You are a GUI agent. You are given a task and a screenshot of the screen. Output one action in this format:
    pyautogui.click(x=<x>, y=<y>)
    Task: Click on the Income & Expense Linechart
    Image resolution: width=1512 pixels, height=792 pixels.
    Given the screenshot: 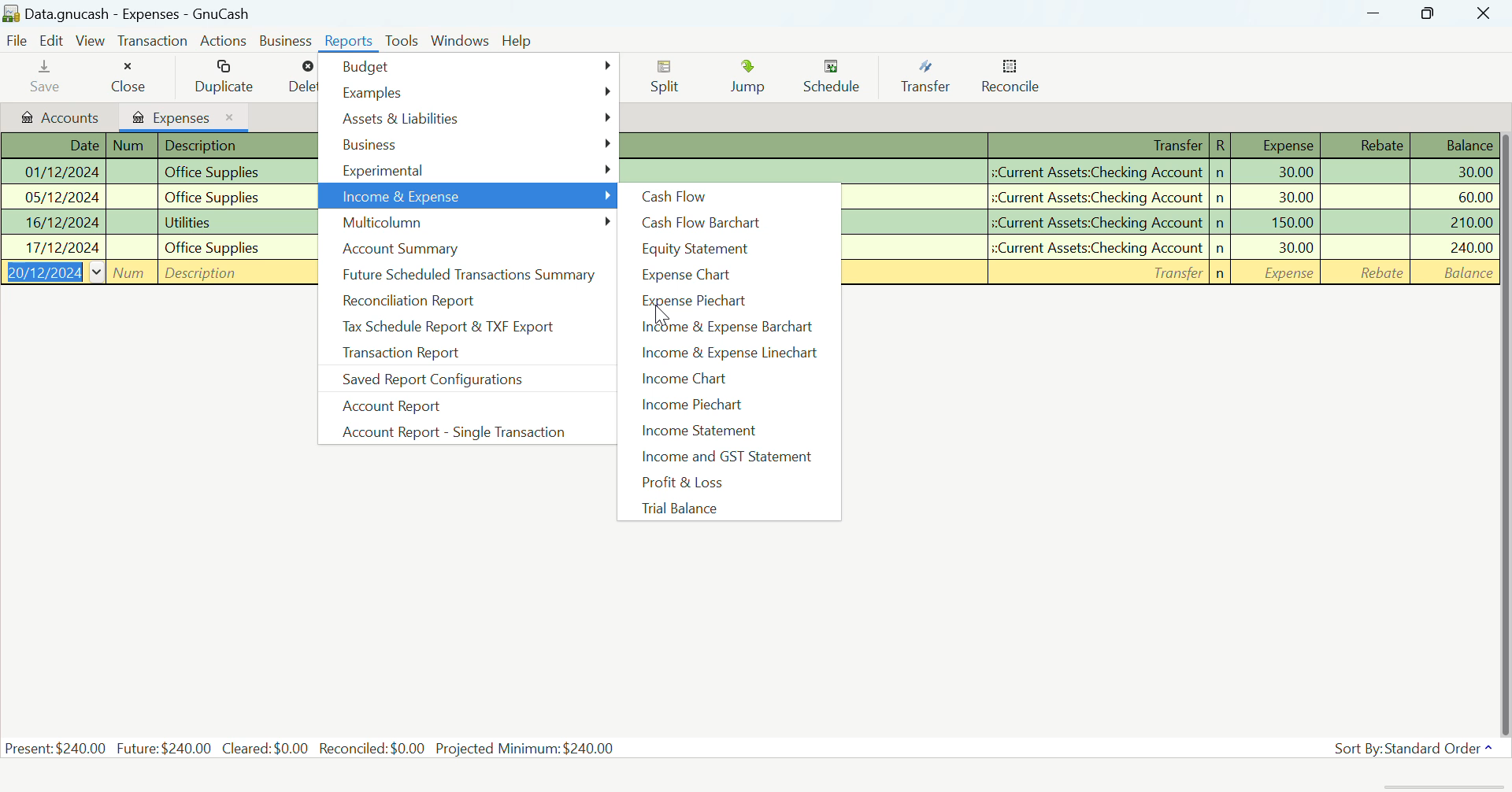 What is the action you would take?
    pyautogui.click(x=728, y=355)
    